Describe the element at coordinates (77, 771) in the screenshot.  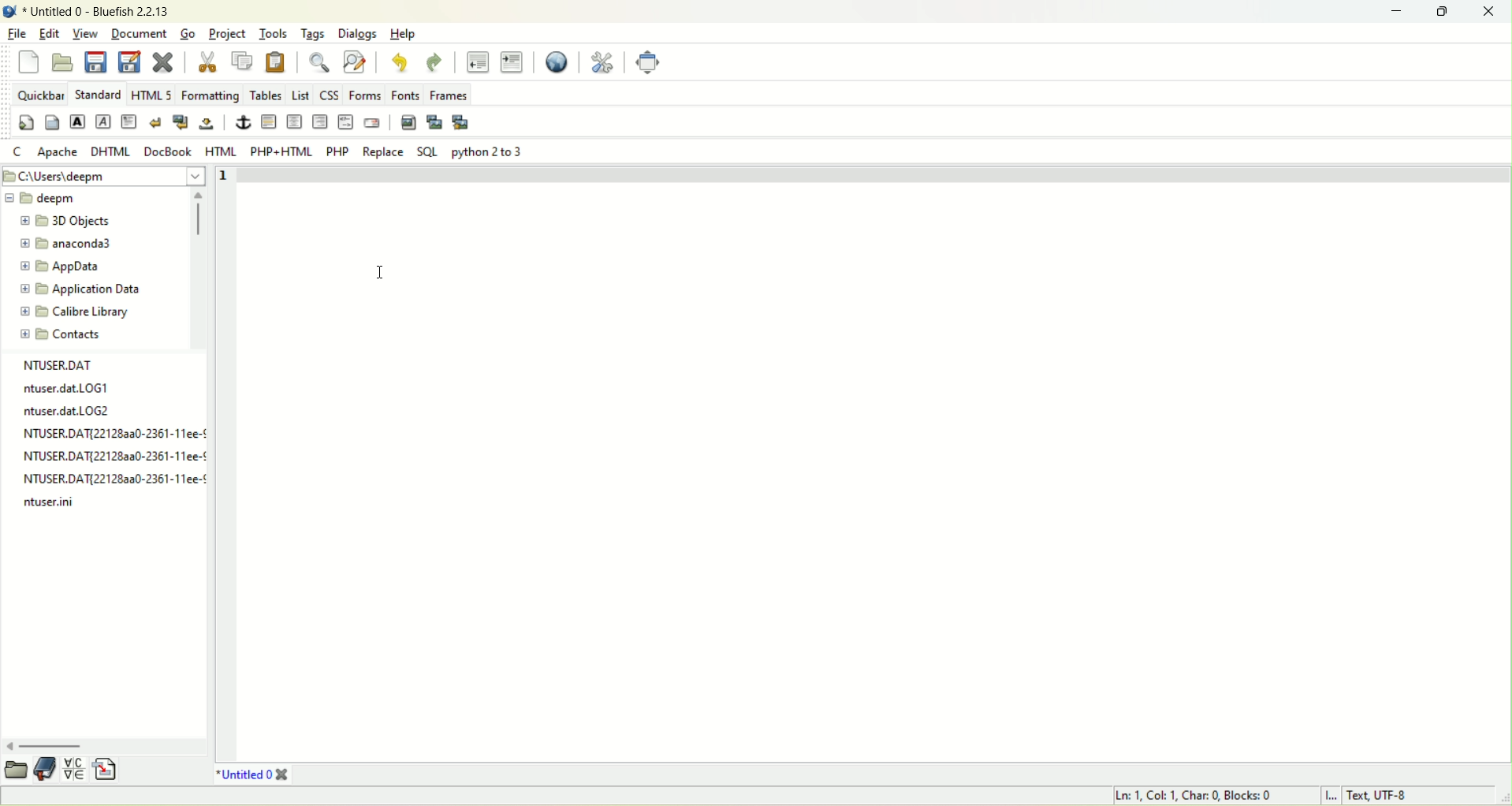
I see `charmap` at that location.